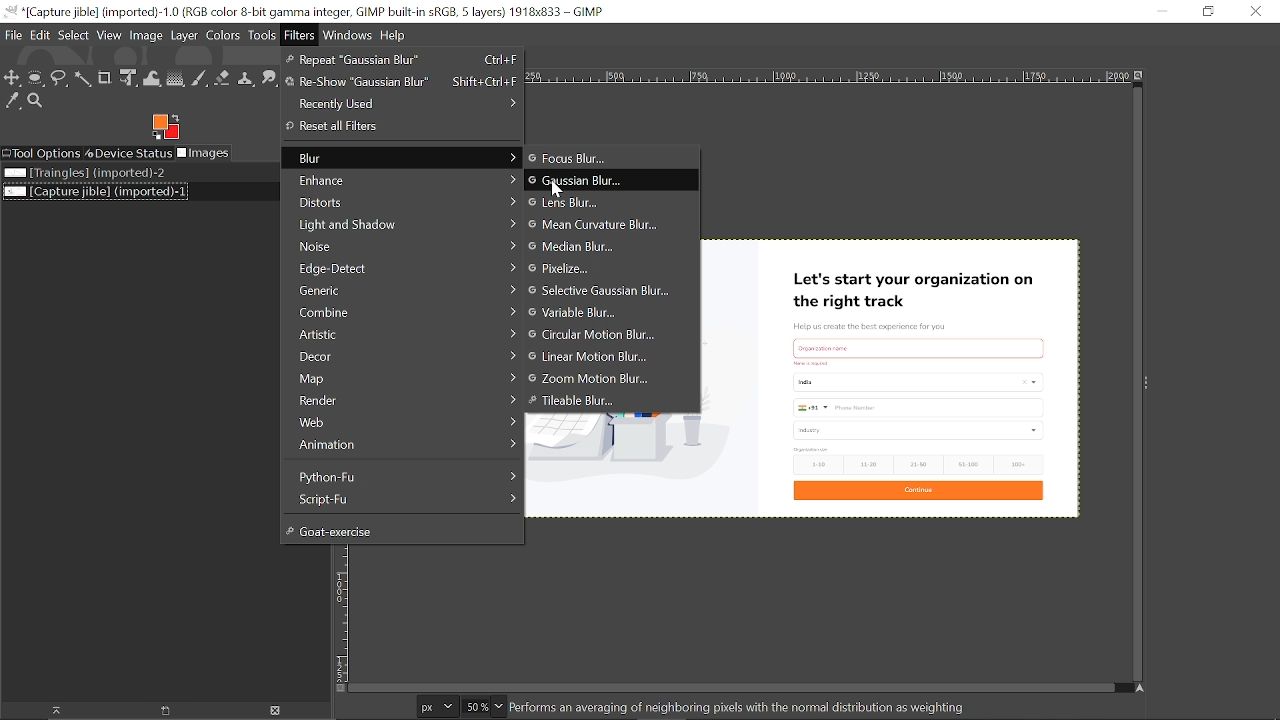 The height and width of the screenshot is (720, 1280). What do you see at coordinates (603, 291) in the screenshot?
I see `Selective Gaussian blur` at bounding box center [603, 291].